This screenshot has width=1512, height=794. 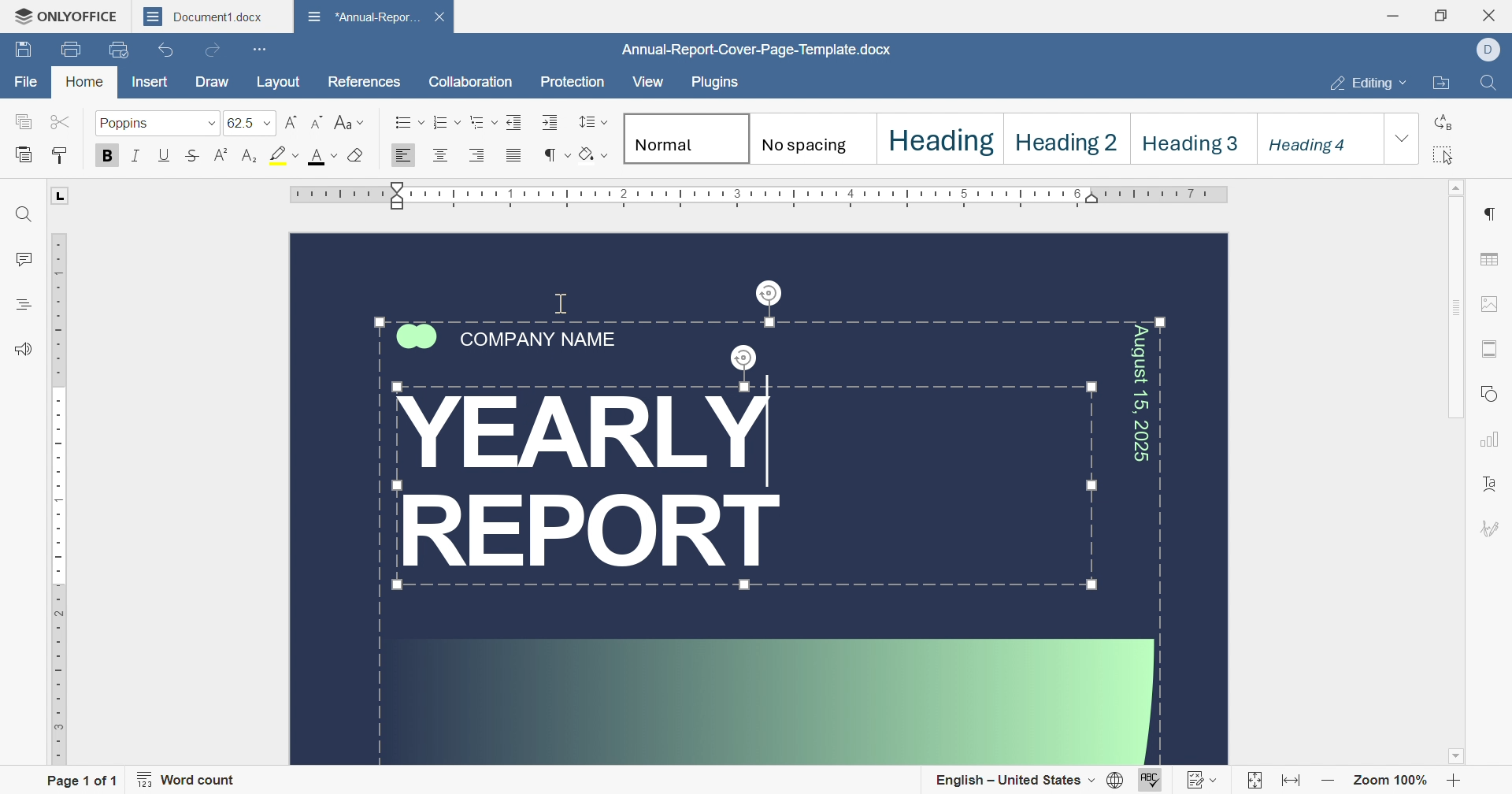 What do you see at coordinates (213, 82) in the screenshot?
I see `draw` at bounding box center [213, 82].